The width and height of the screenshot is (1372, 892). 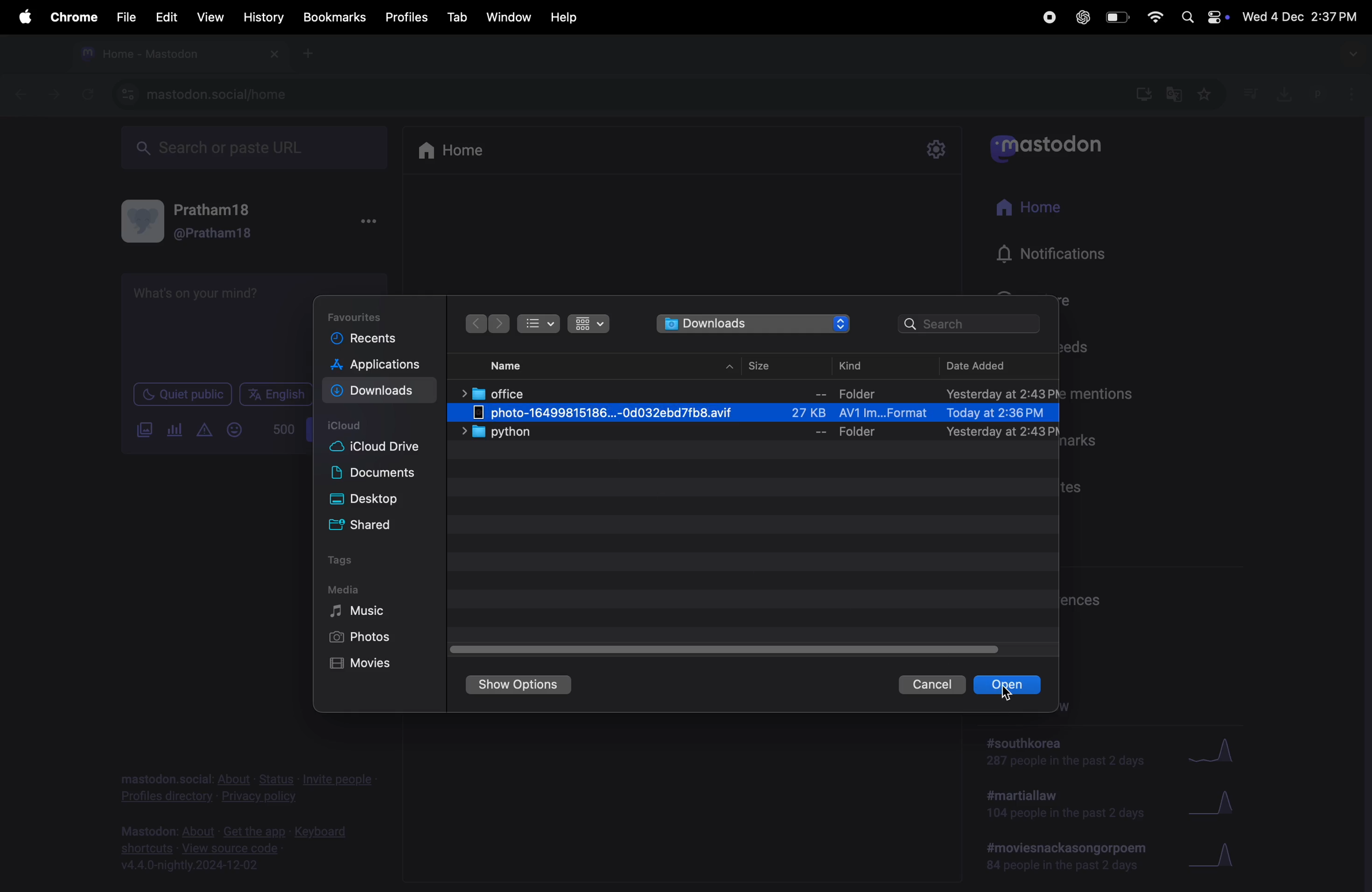 I want to click on search bar, so click(x=972, y=324).